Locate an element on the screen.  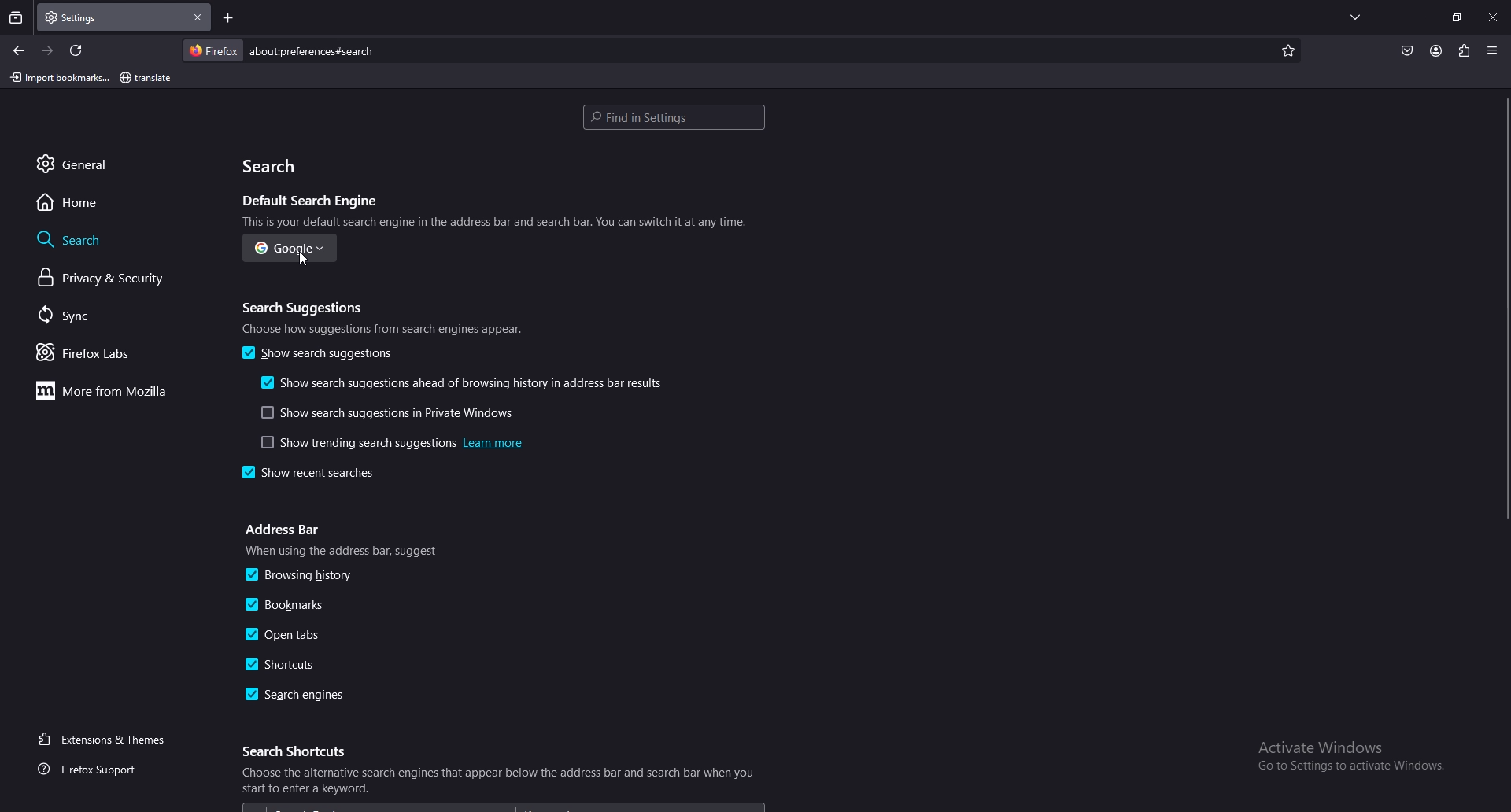
resize is located at coordinates (1457, 17).